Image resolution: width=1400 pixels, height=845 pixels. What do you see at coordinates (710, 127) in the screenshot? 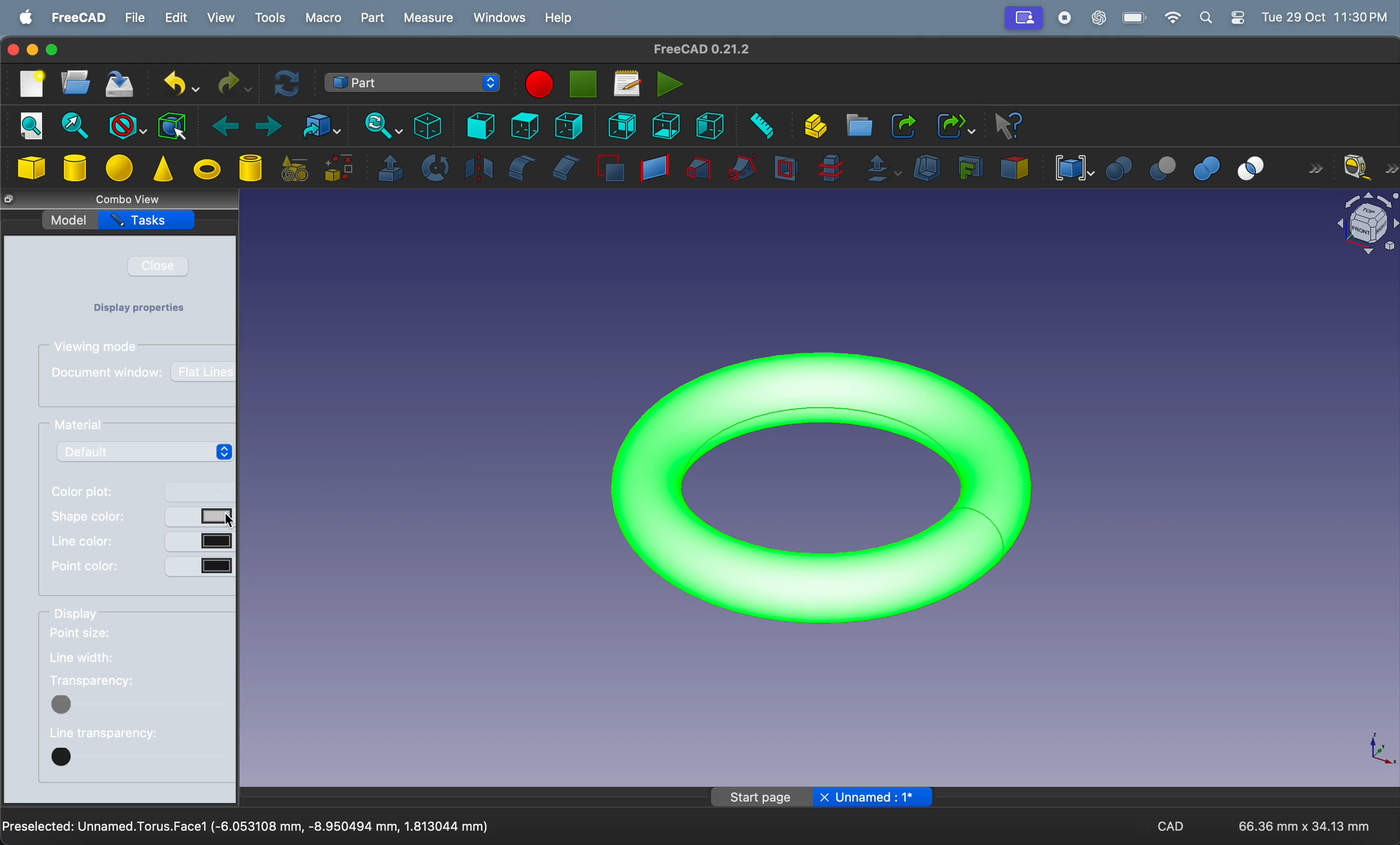
I see `left view` at bounding box center [710, 127].